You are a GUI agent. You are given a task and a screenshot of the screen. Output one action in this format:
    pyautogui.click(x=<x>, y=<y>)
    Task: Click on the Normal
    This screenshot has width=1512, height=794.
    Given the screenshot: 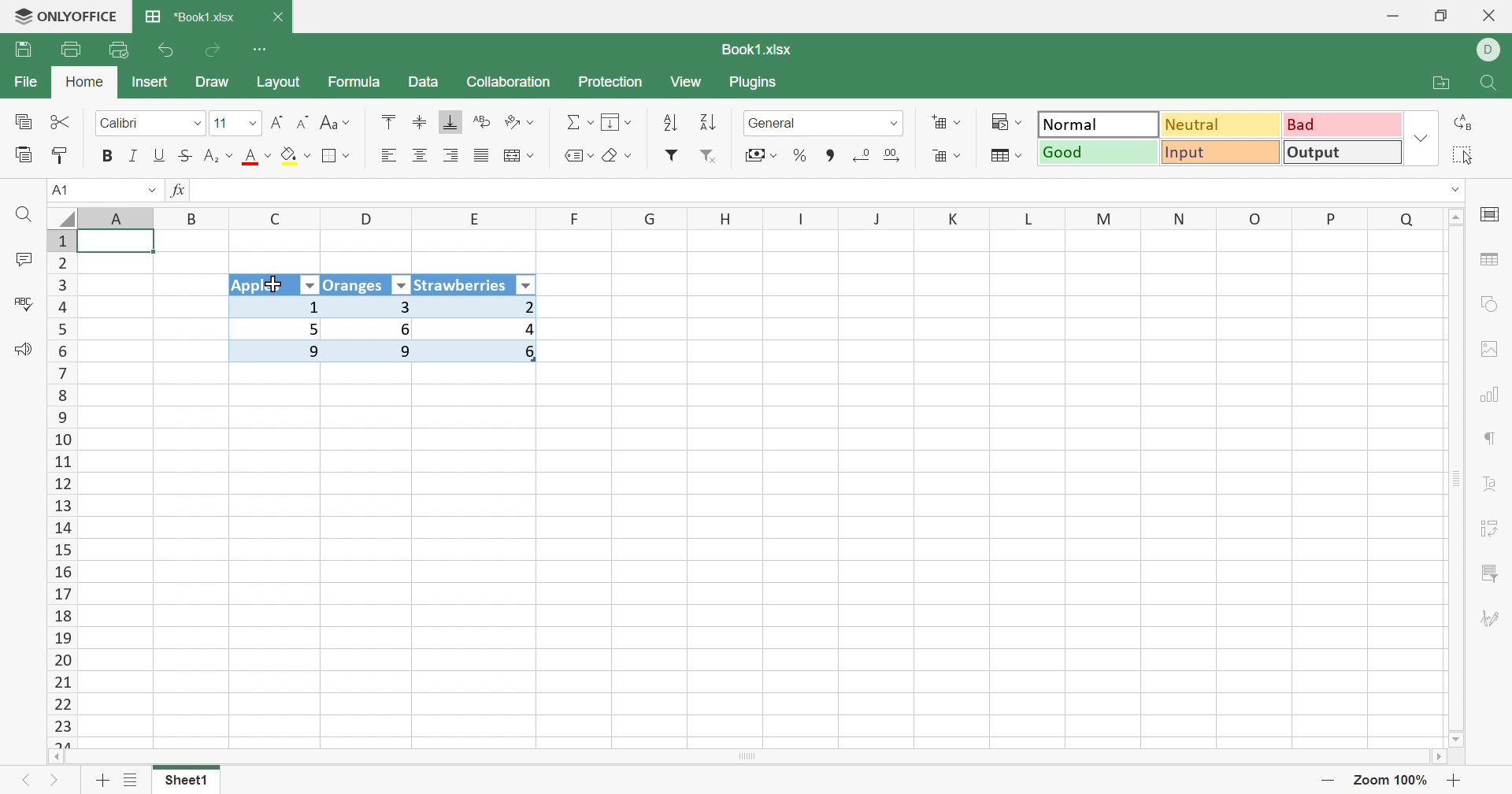 What is the action you would take?
    pyautogui.click(x=1098, y=124)
    